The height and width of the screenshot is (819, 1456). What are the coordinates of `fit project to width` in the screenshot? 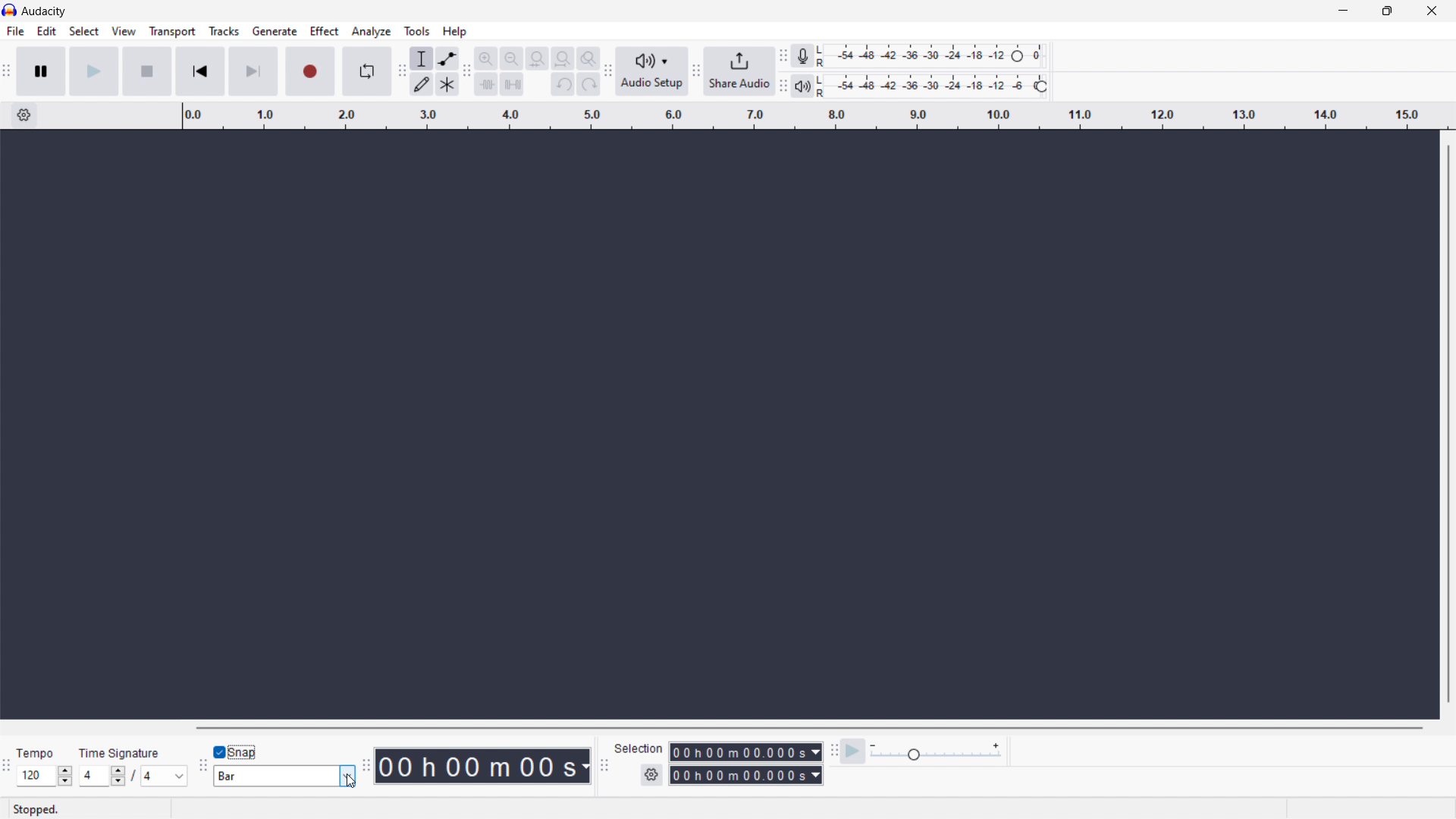 It's located at (563, 58).